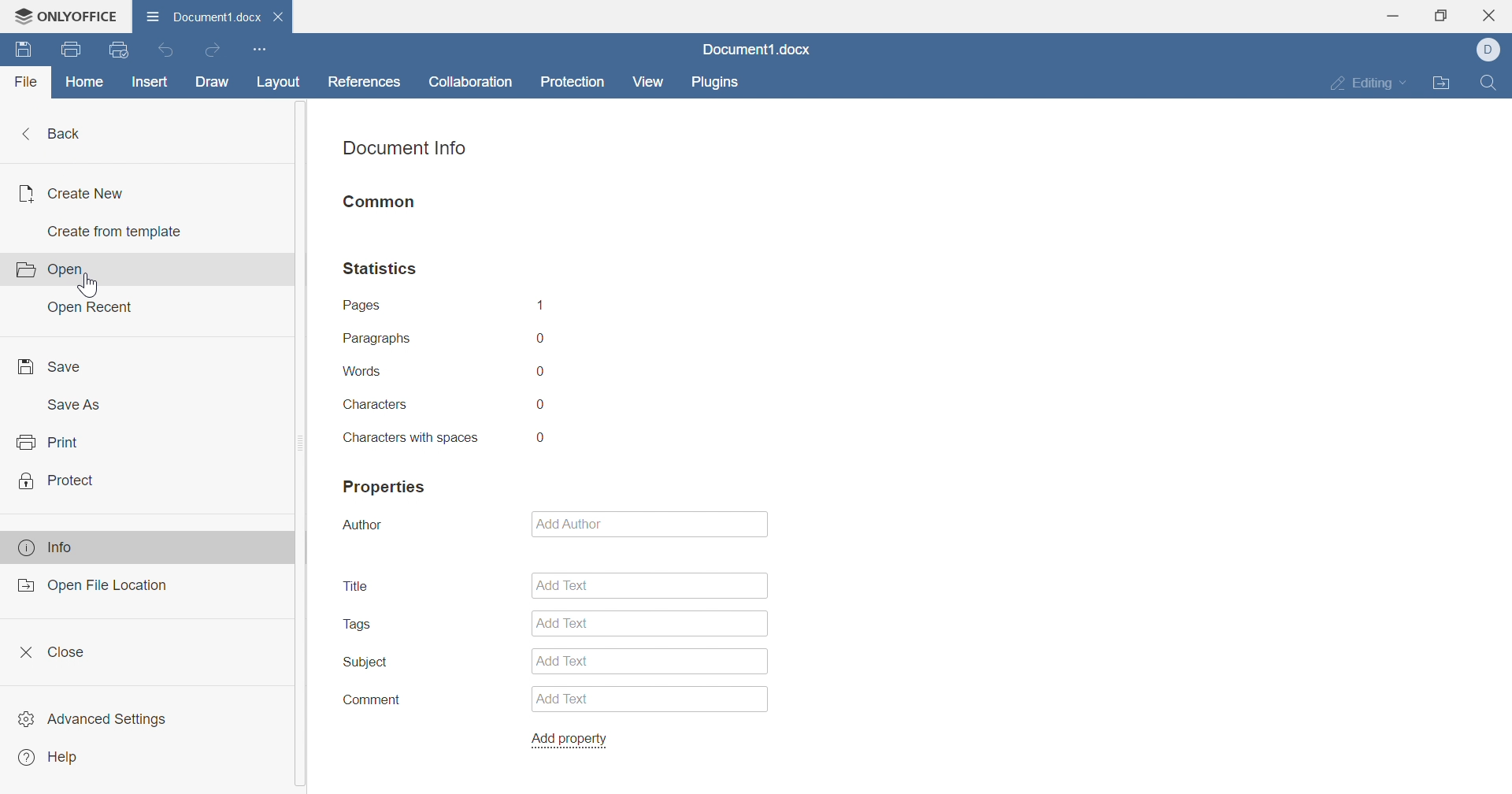 This screenshot has width=1512, height=794. I want to click on collaboration, so click(471, 83).